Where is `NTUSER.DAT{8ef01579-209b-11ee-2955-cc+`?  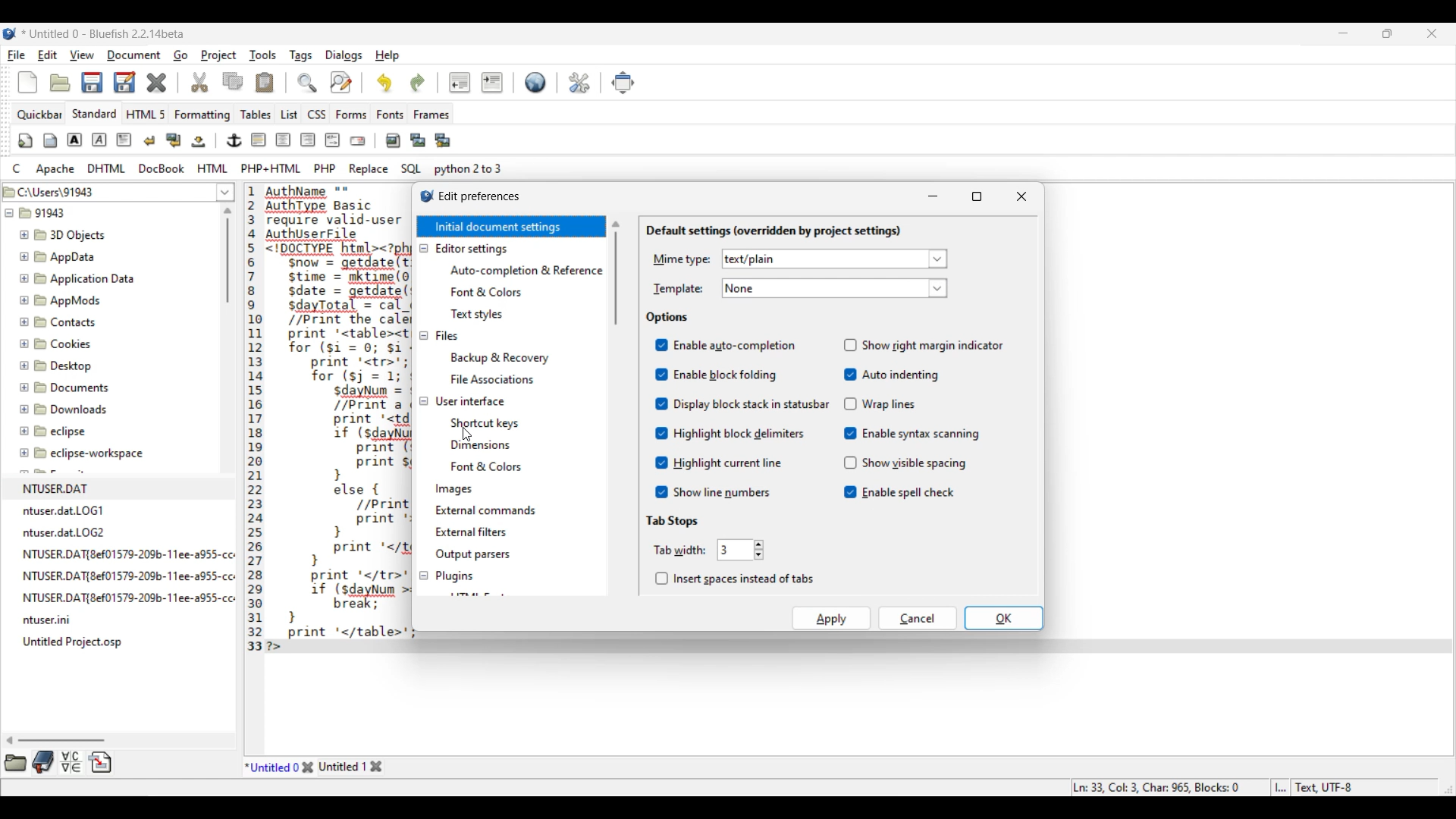
NTUSER.DAT{8ef01579-209b-11ee-2955-cc+ is located at coordinates (129, 551).